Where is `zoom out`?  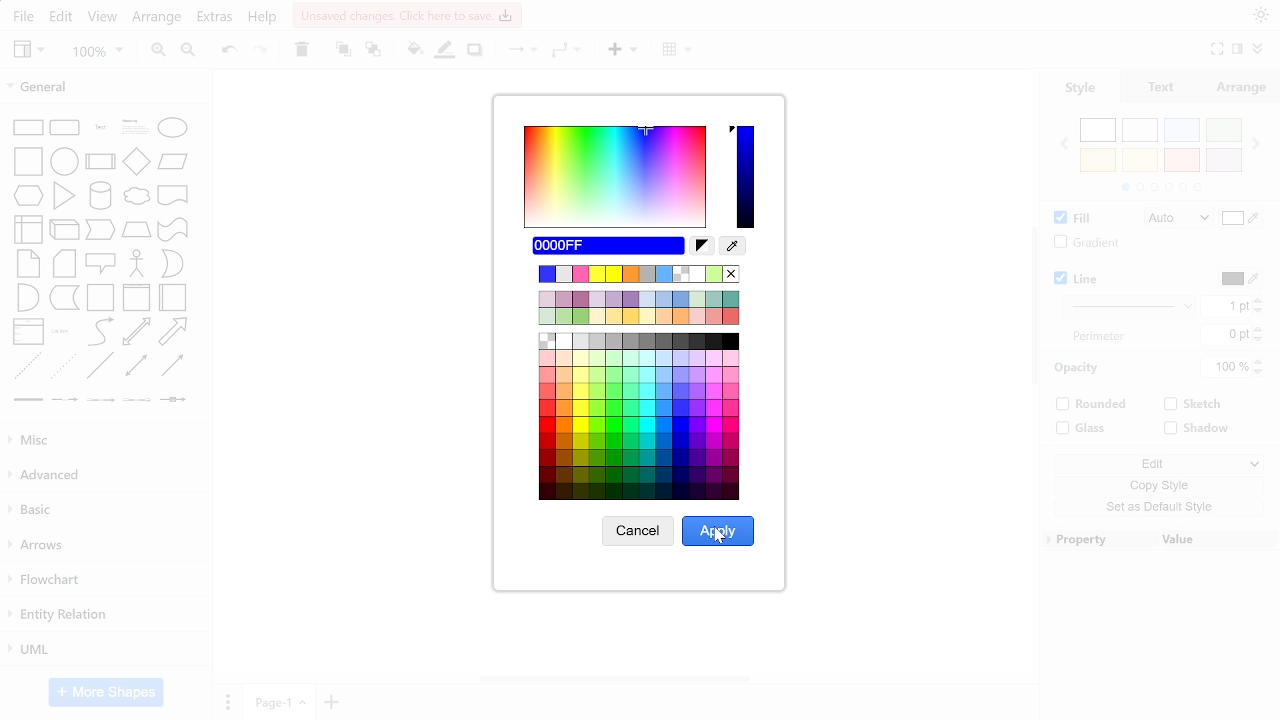 zoom out is located at coordinates (190, 53).